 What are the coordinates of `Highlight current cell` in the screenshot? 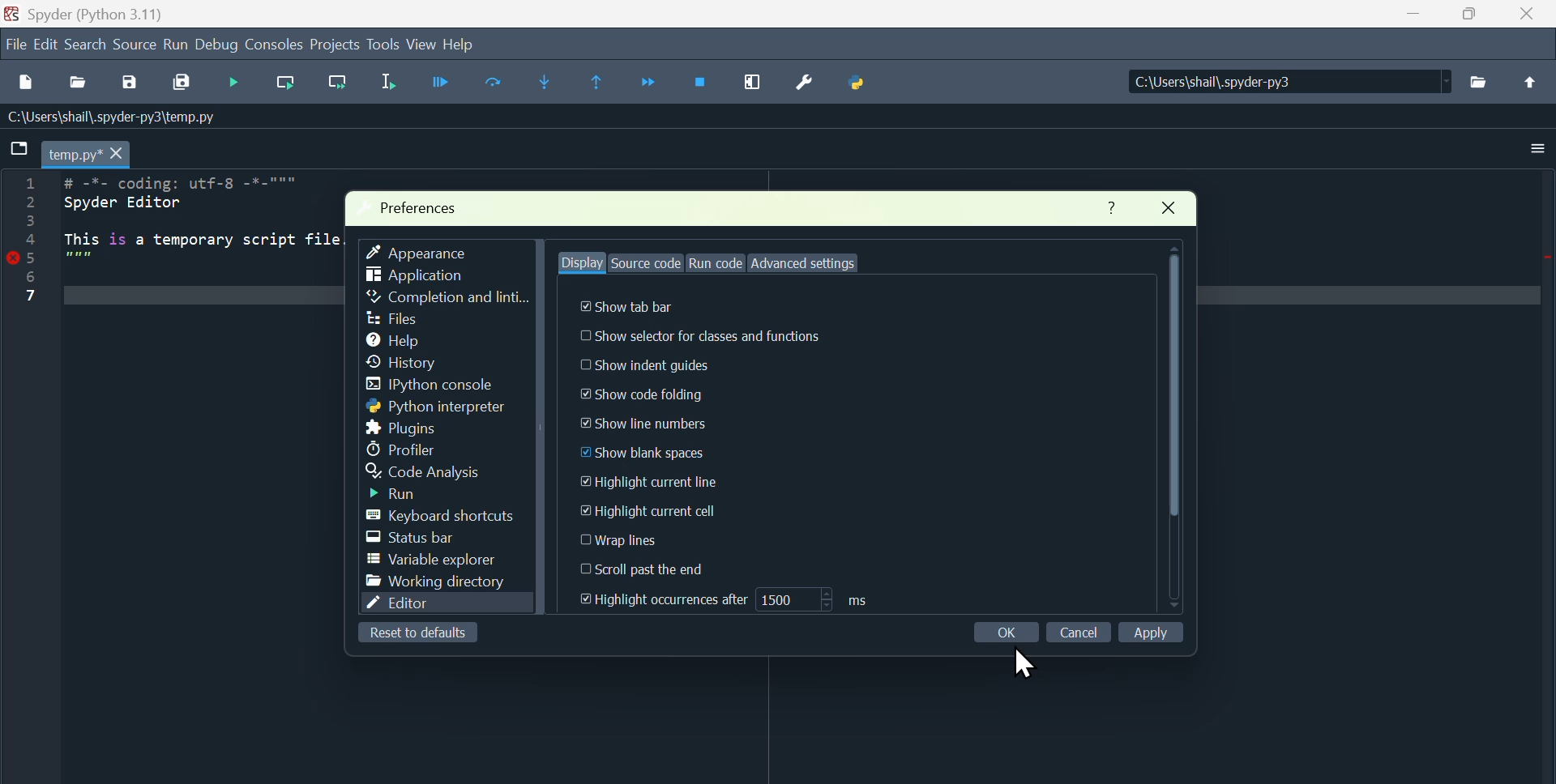 It's located at (673, 514).